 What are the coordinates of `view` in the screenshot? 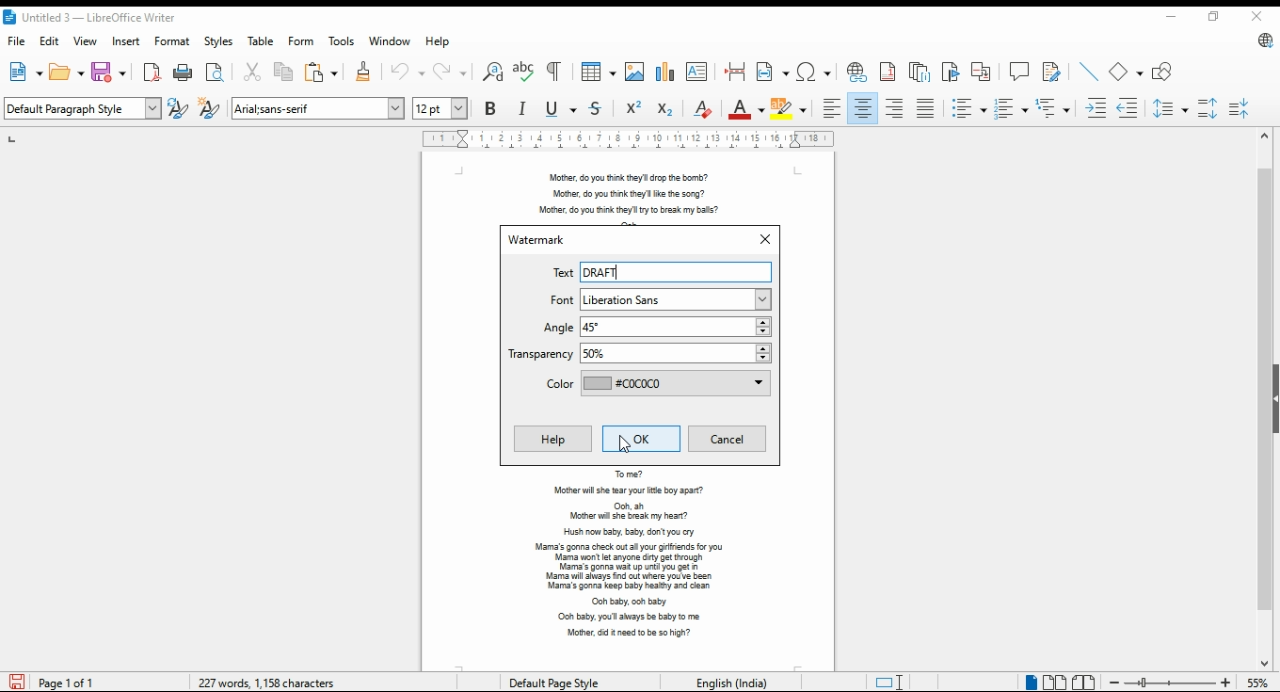 It's located at (88, 42).